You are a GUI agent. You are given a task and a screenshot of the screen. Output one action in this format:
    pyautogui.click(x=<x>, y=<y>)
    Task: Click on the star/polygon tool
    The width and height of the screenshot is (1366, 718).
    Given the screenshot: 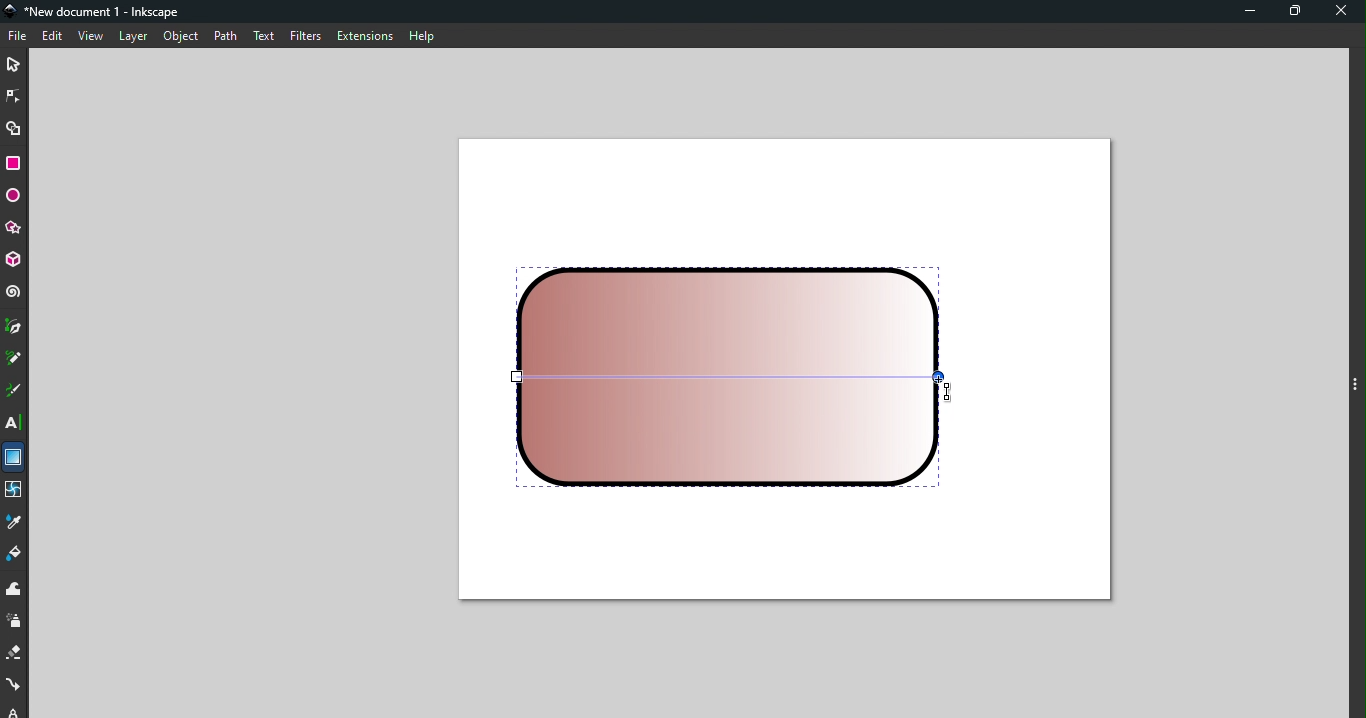 What is the action you would take?
    pyautogui.click(x=14, y=227)
    